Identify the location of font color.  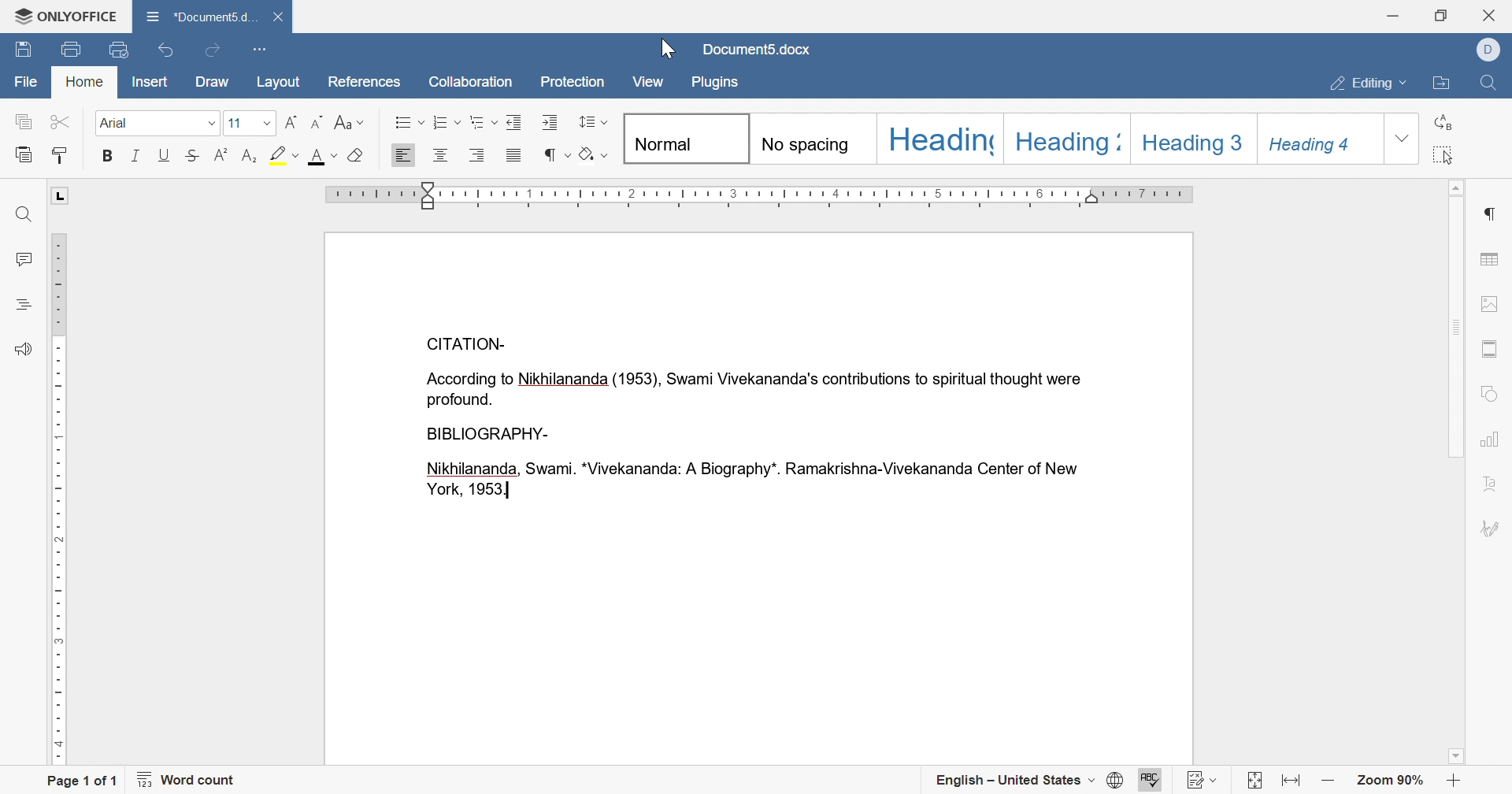
(322, 159).